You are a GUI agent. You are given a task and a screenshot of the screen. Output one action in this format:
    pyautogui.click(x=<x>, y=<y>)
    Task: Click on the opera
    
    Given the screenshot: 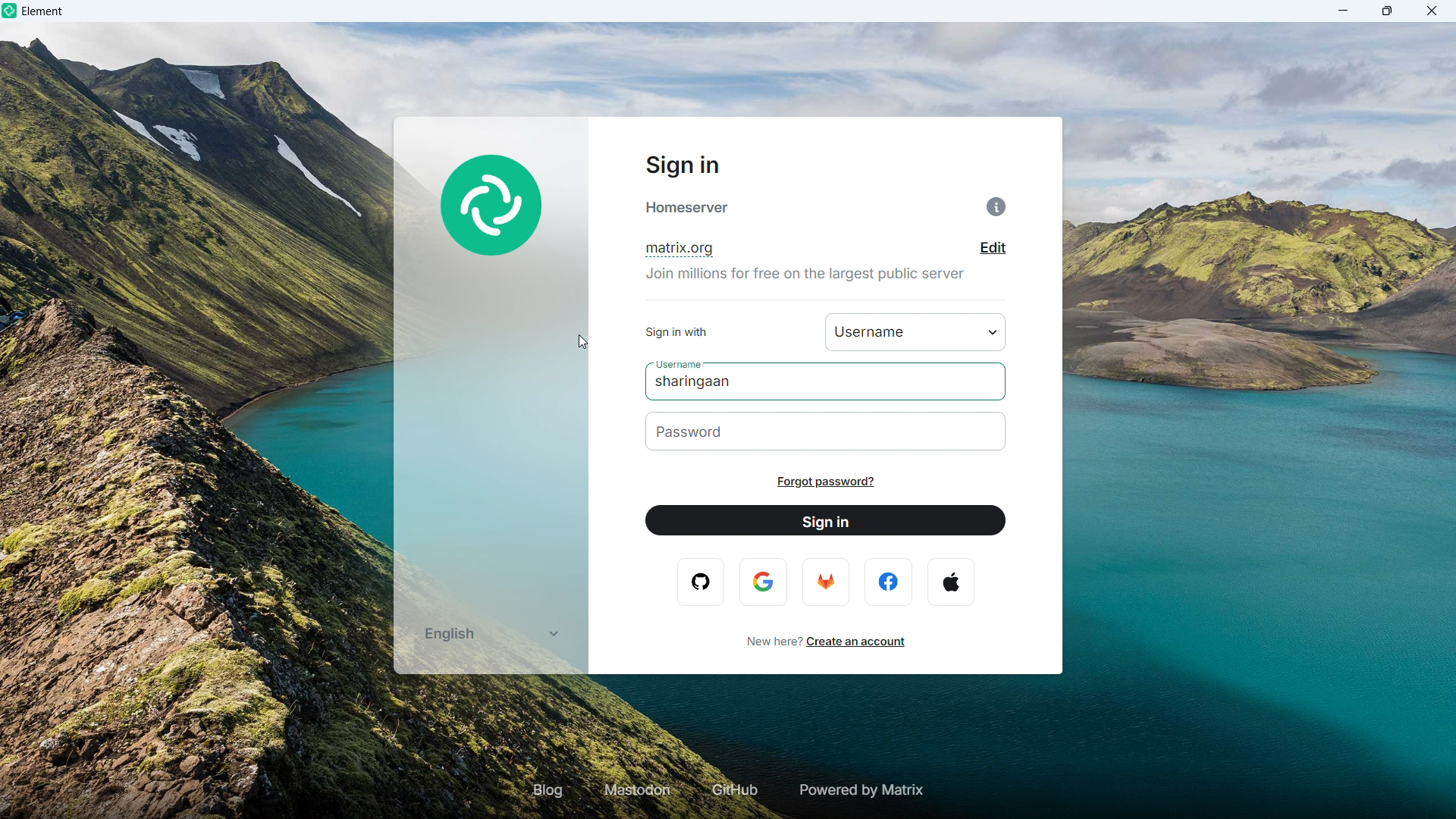 What is the action you would take?
    pyautogui.click(x=704, y=582)
    